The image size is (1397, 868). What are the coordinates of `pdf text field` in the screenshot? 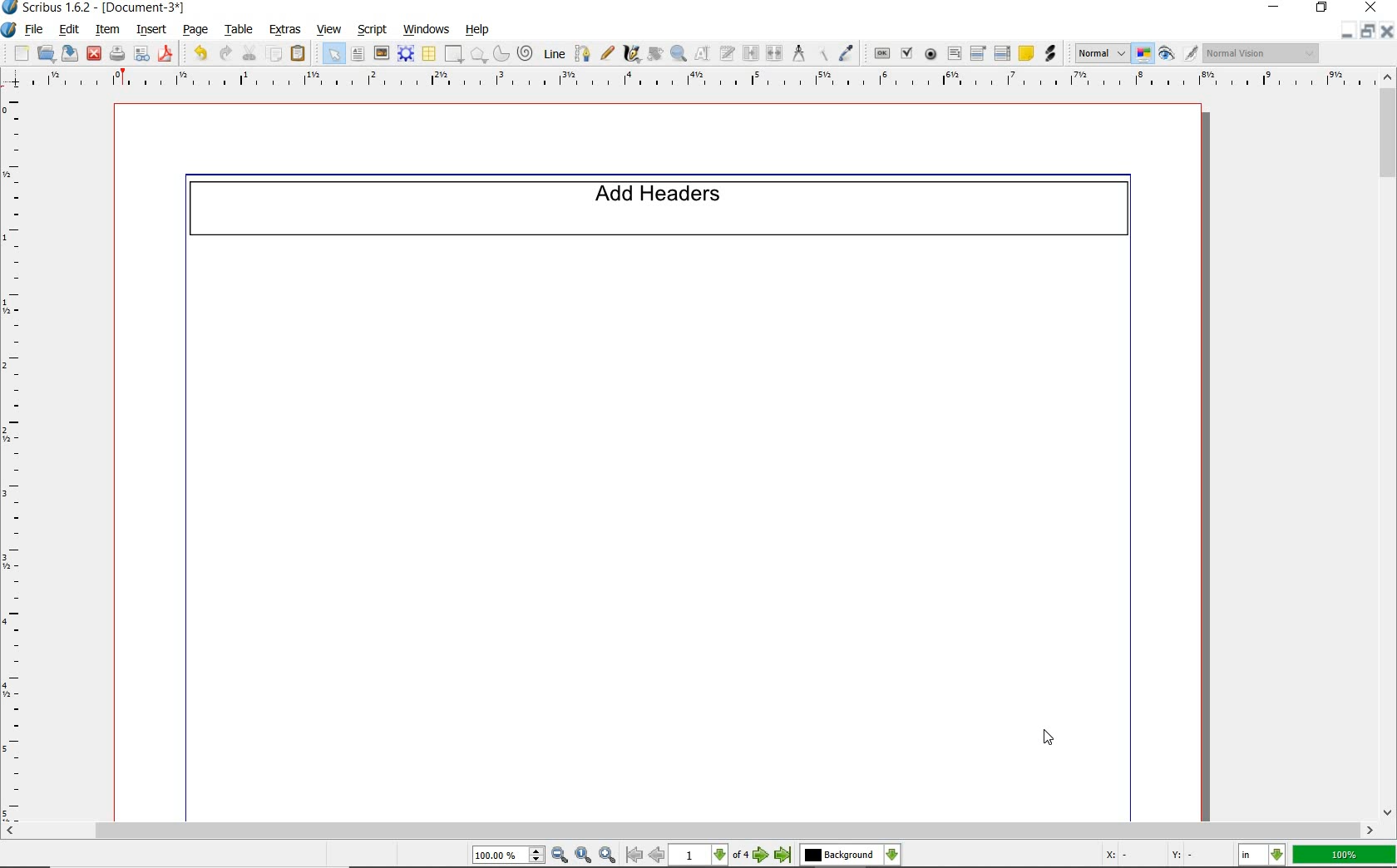 It's located at (955, 53).